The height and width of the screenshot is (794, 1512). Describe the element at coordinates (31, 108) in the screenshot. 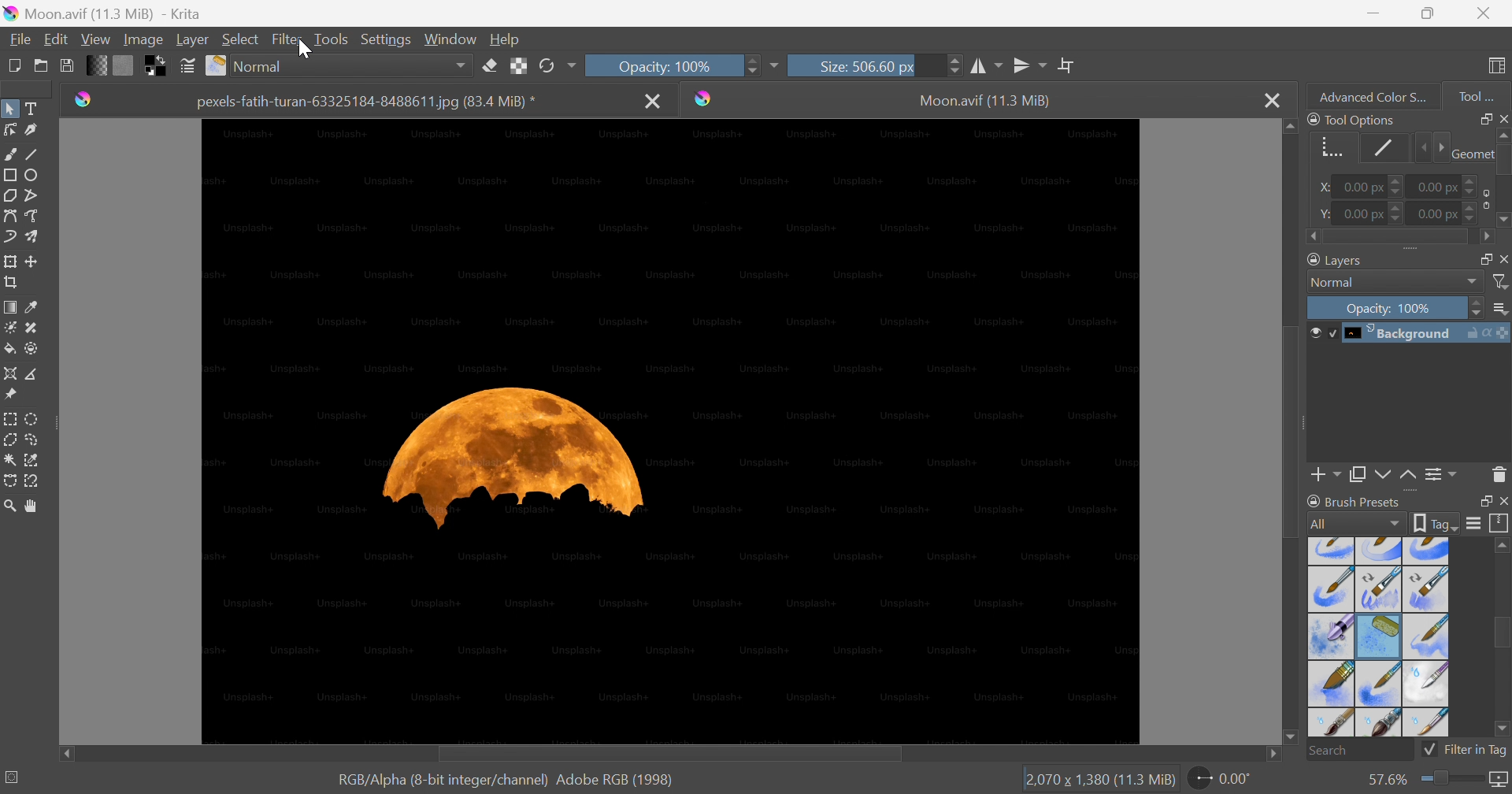

I see `Text tool` at that location.